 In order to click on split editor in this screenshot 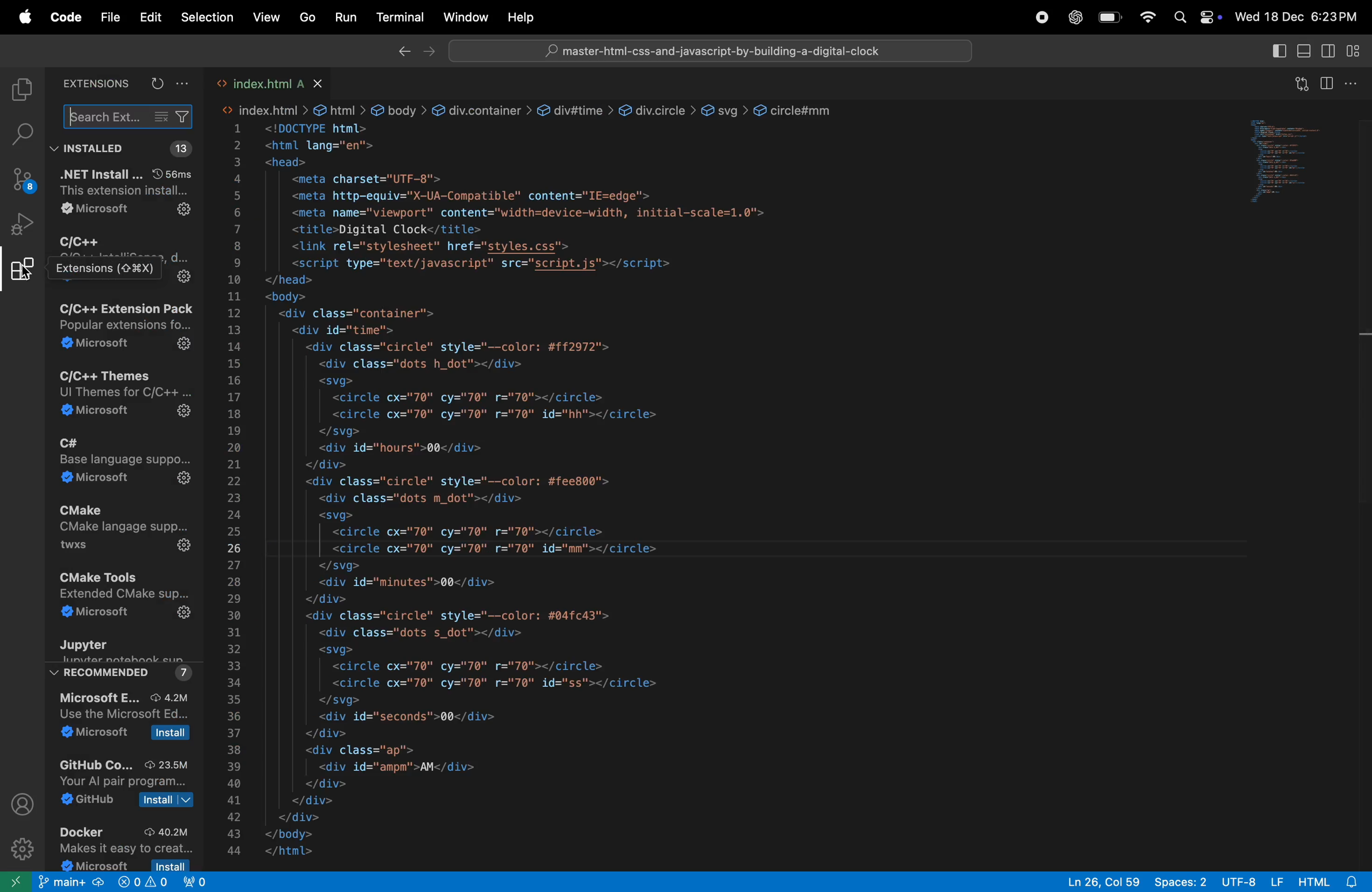, I will do `click(1330, 82)`.